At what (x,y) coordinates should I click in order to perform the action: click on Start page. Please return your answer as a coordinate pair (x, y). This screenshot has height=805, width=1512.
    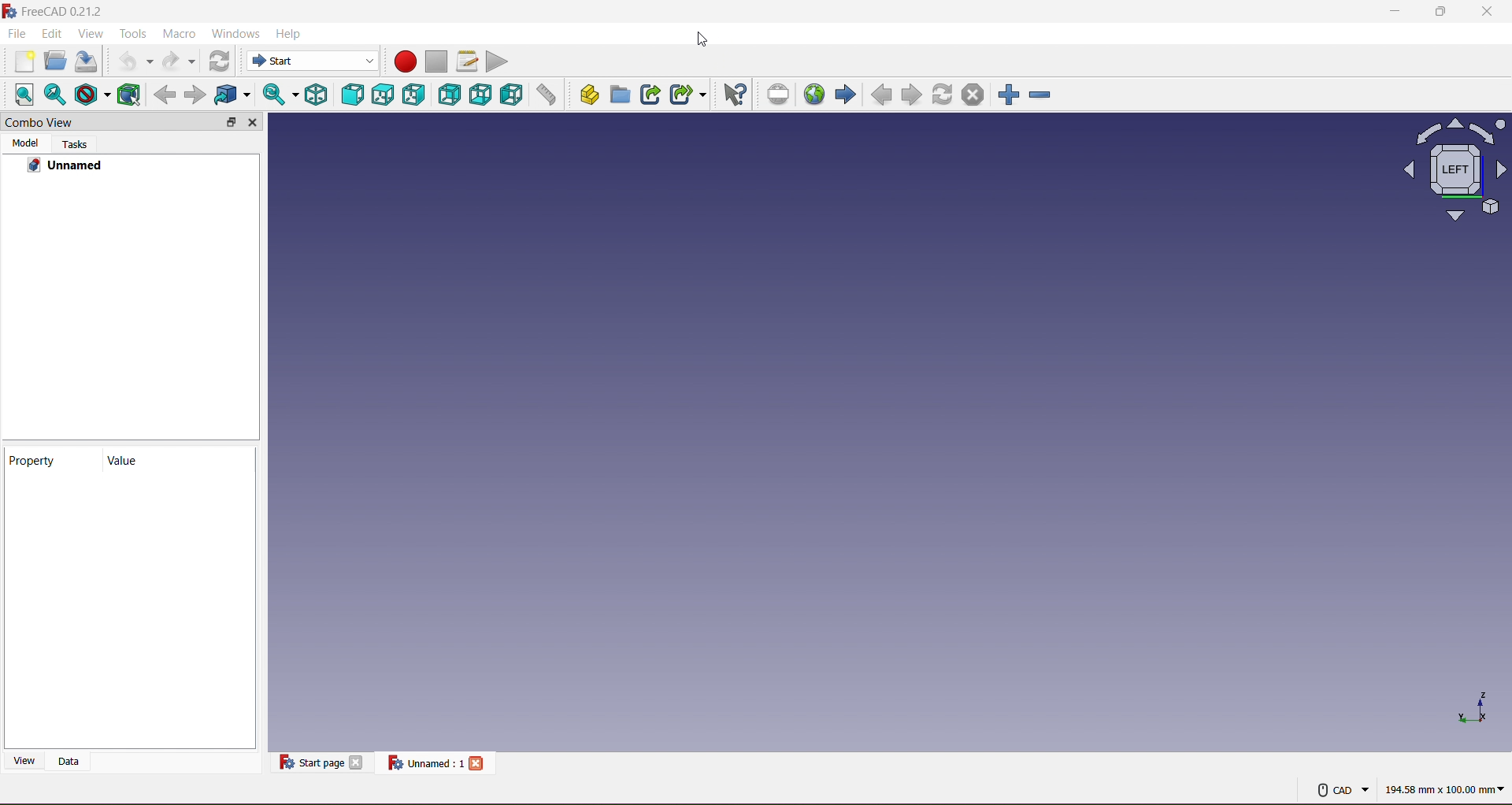
    Looking at the image, I should click on (322, 762).